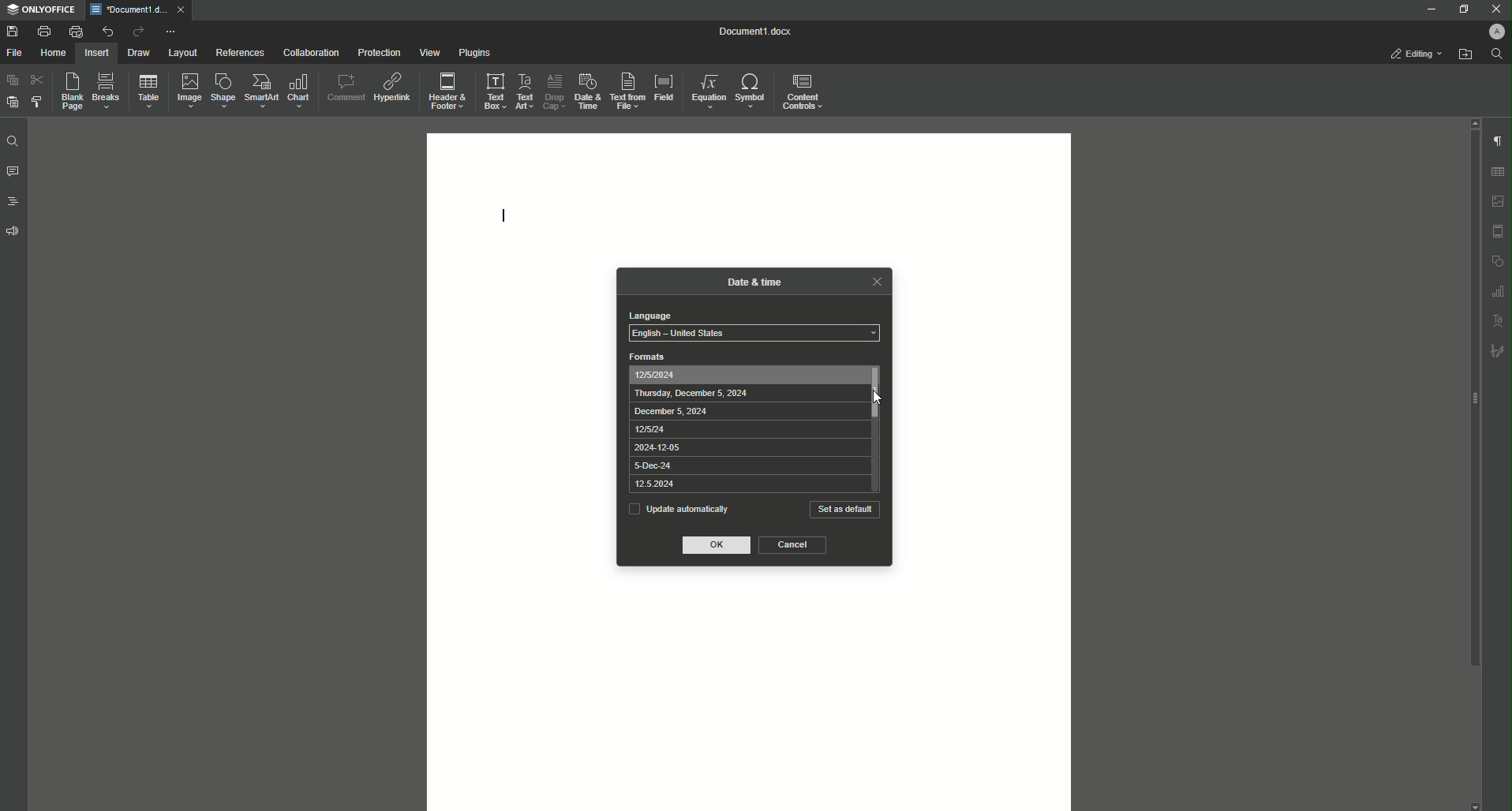 Image resolution: width=1512 pixels, height=811 pixels. What do you see at coordinates (655, 466) in the screenshot?
I see `5-Dec-24` at bounding box center [655, 466].